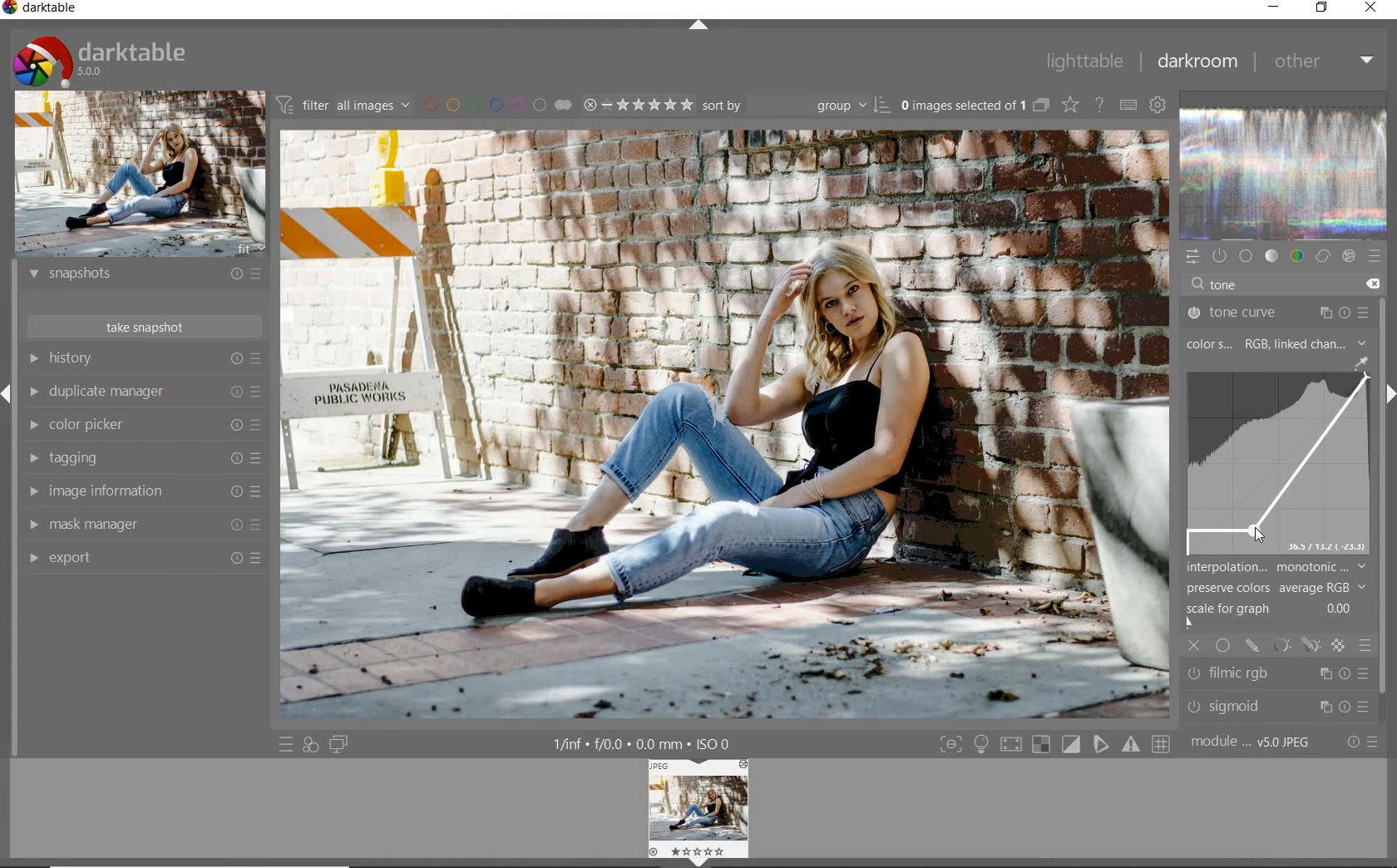 Image resolution: width=1397 pixels, height=868 pixels. Describe the element at coordinates (286, 744) in the screenshot. I see `quick access to presets` at that location.